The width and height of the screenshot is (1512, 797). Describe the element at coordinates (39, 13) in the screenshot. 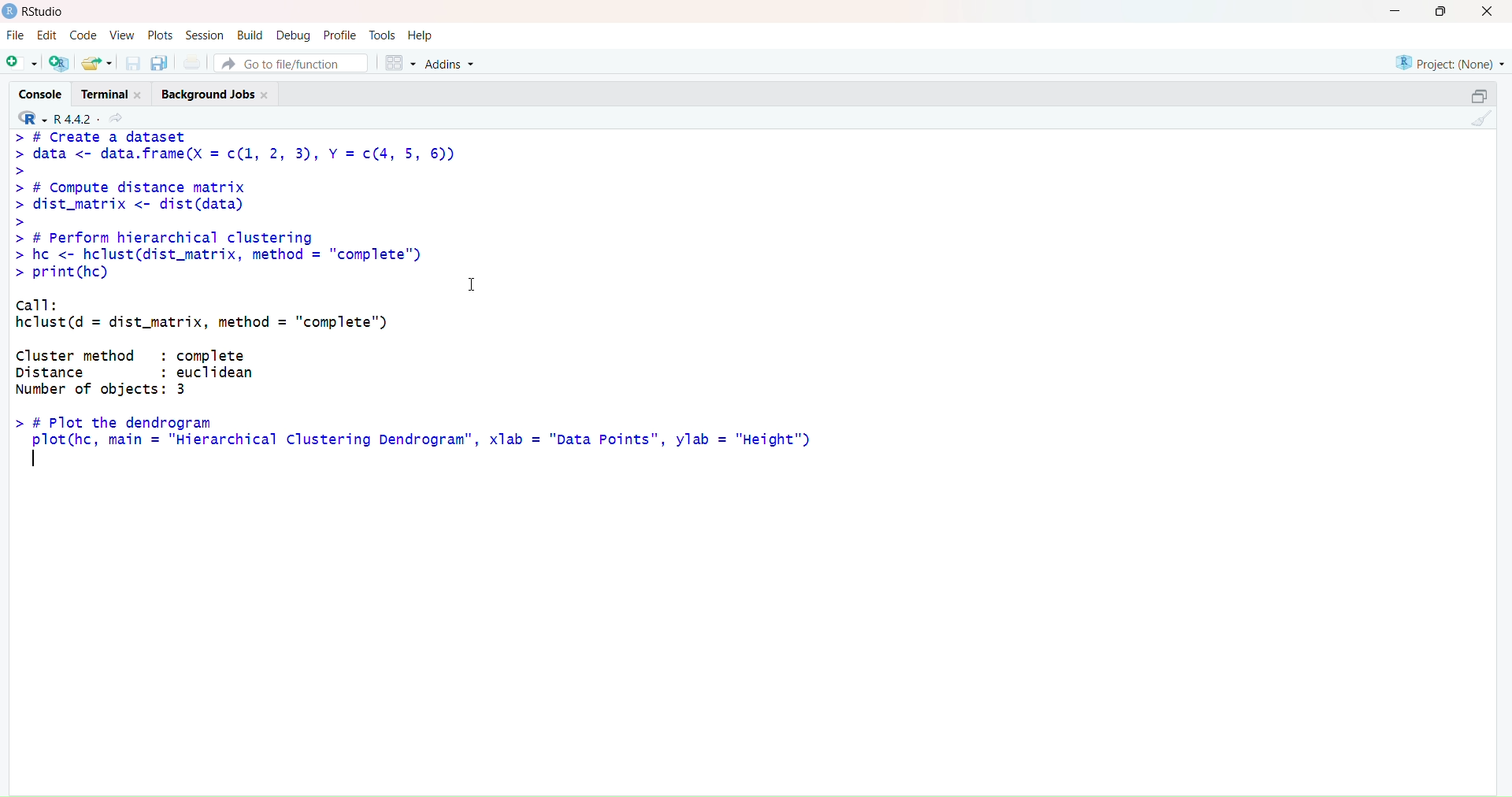

I see `RStudio` at that location.